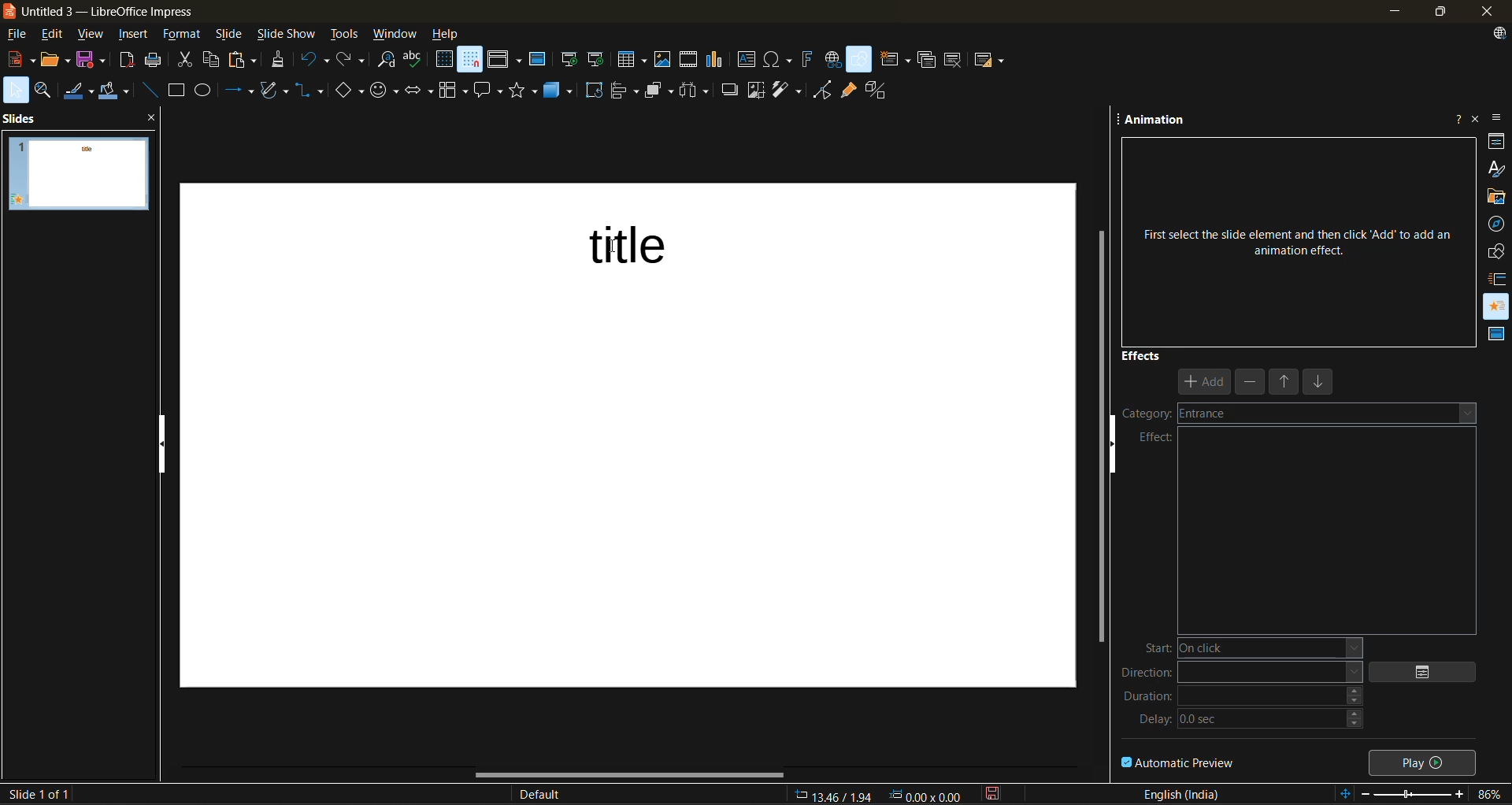  Describe the element at coordinates (25, 117) in the screenshot. I see `slides` at that location.